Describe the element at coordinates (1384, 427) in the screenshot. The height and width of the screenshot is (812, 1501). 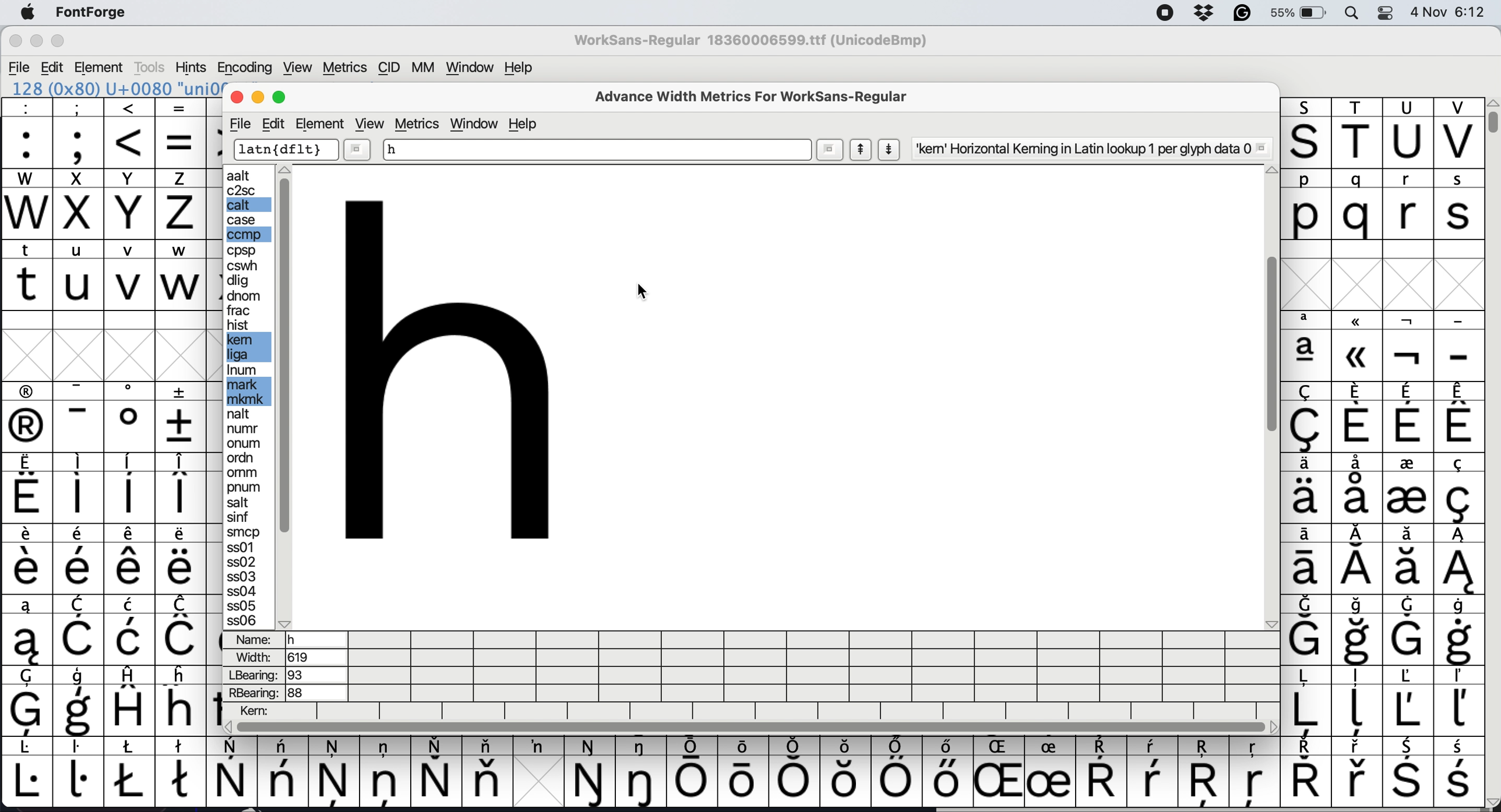
I see `special characters` at that location.